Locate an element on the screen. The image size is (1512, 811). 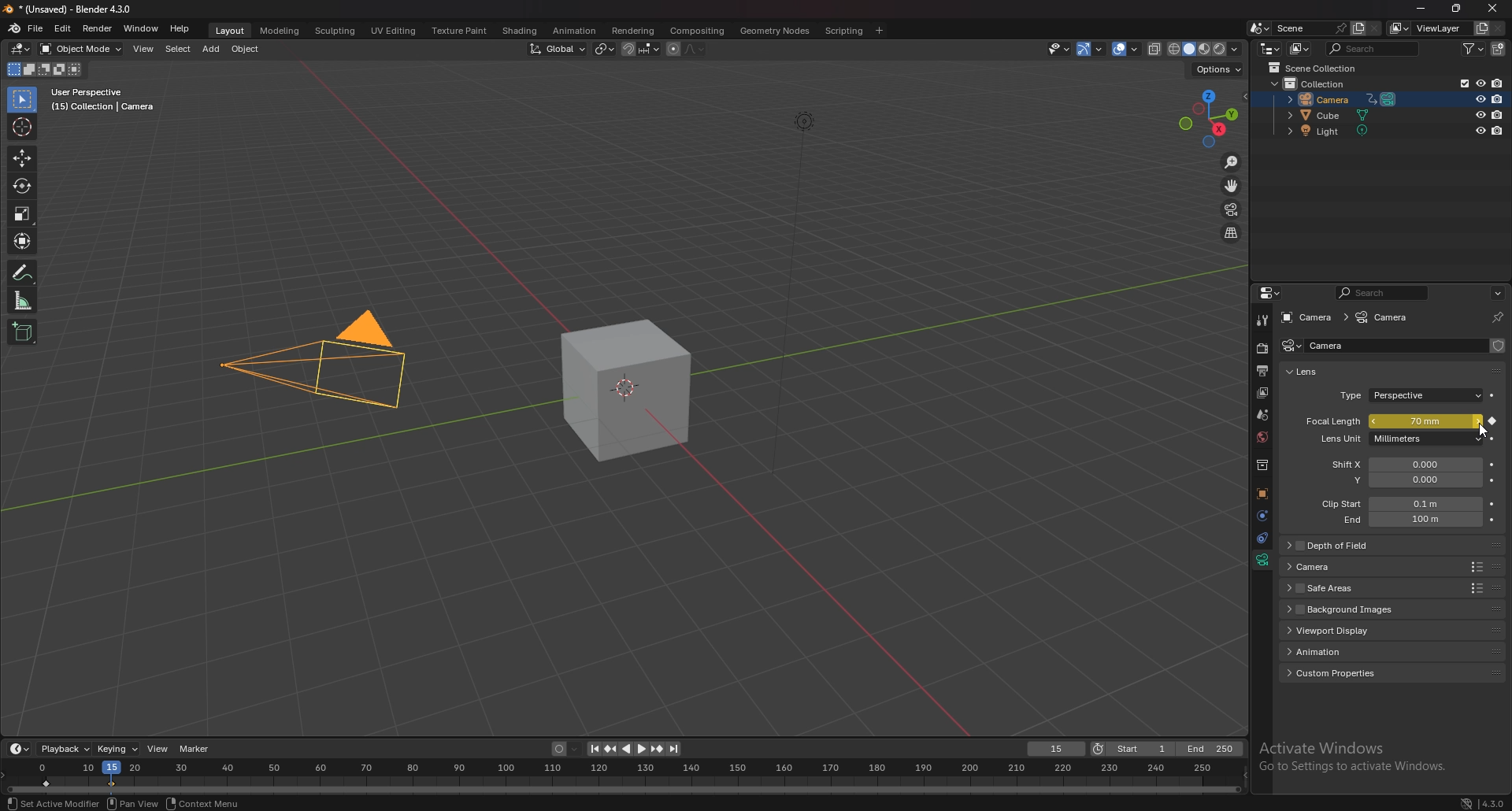
add cube is located at coordinates (20, 332).